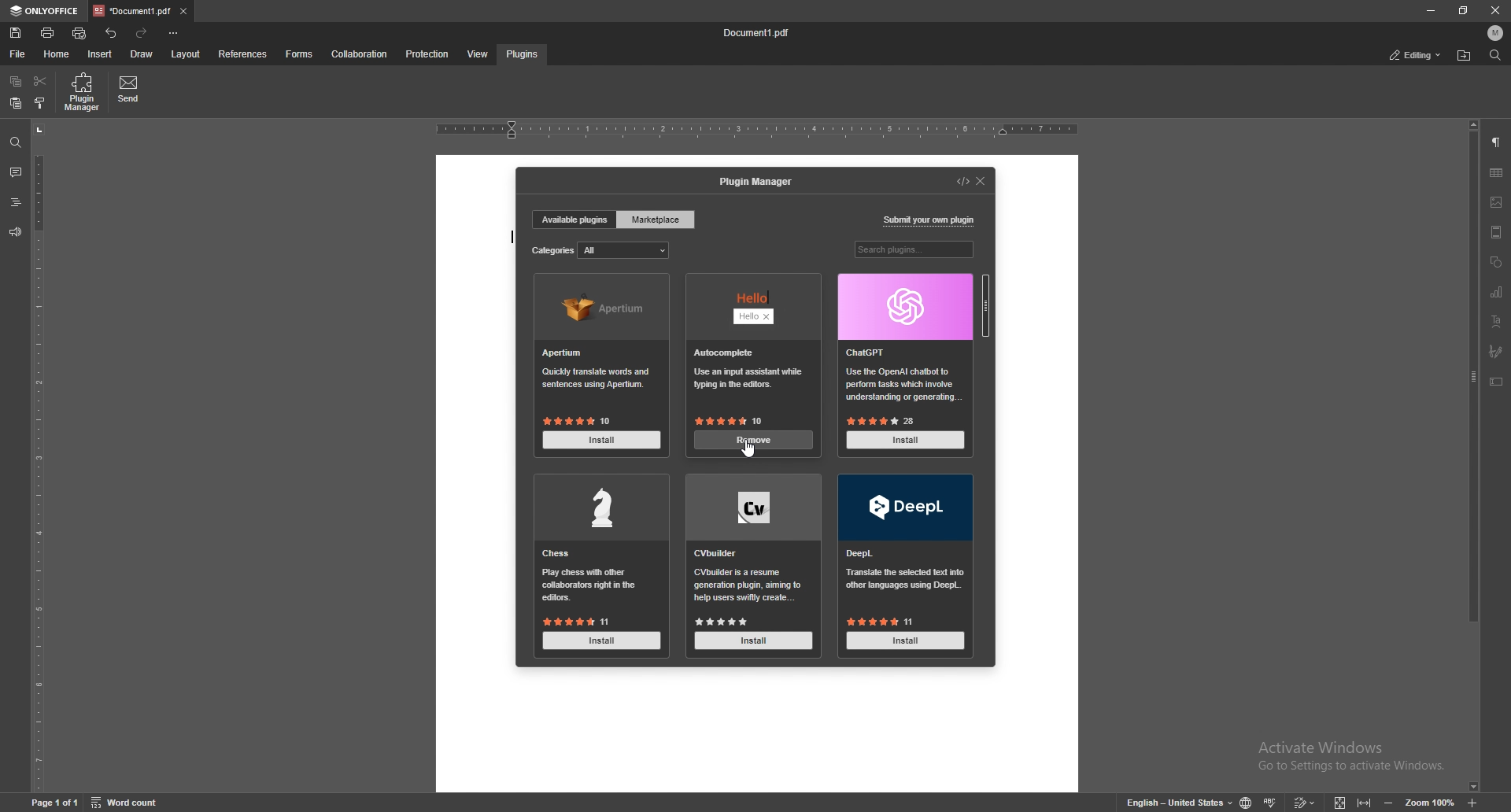 This screenshot has height=812, width=1511. Describe the element at coordinates (753, 439) in the screenshot. I see `remove` at that location.